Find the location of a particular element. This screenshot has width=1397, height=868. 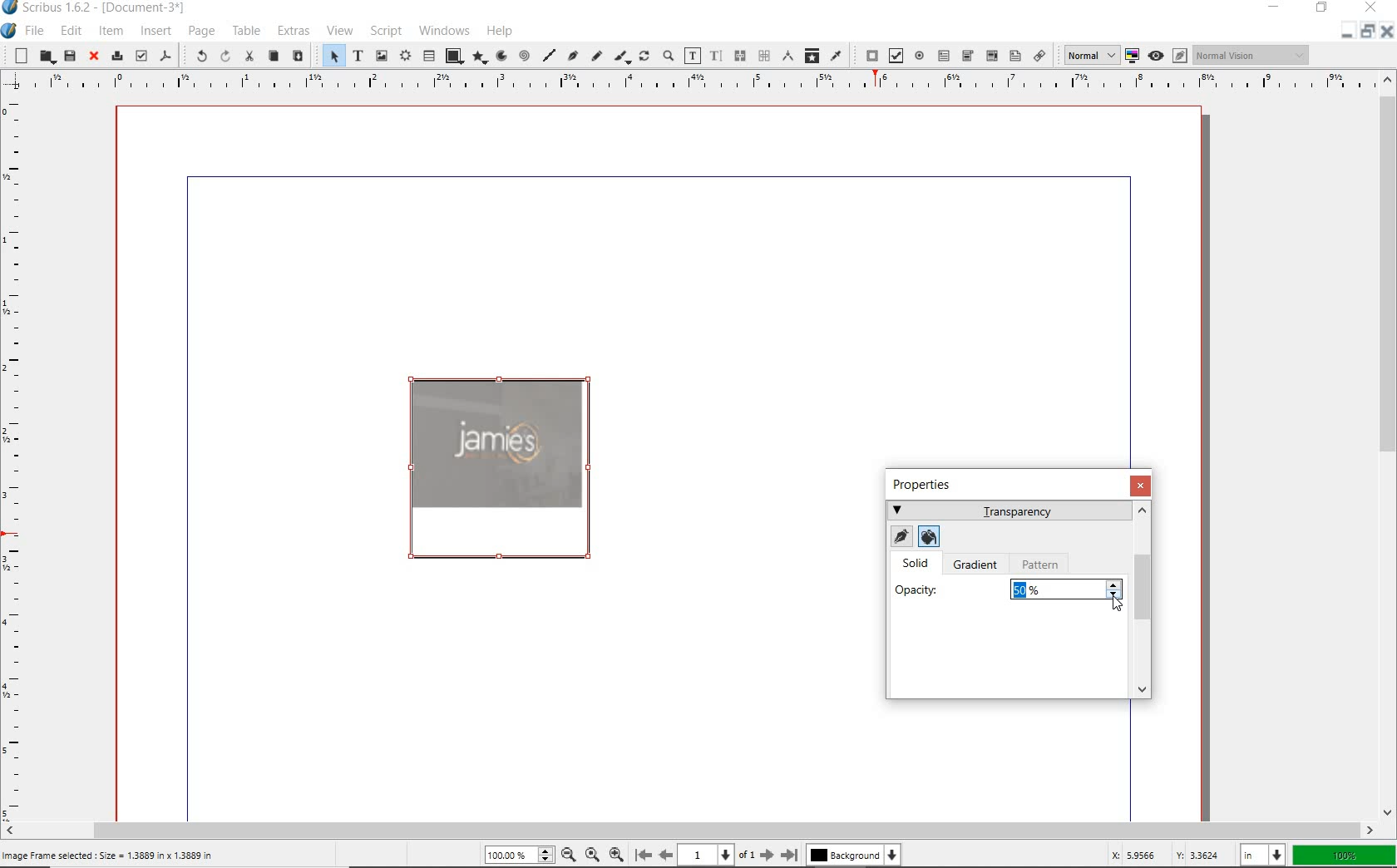

copy item properties is located at coordinates (811, 57).